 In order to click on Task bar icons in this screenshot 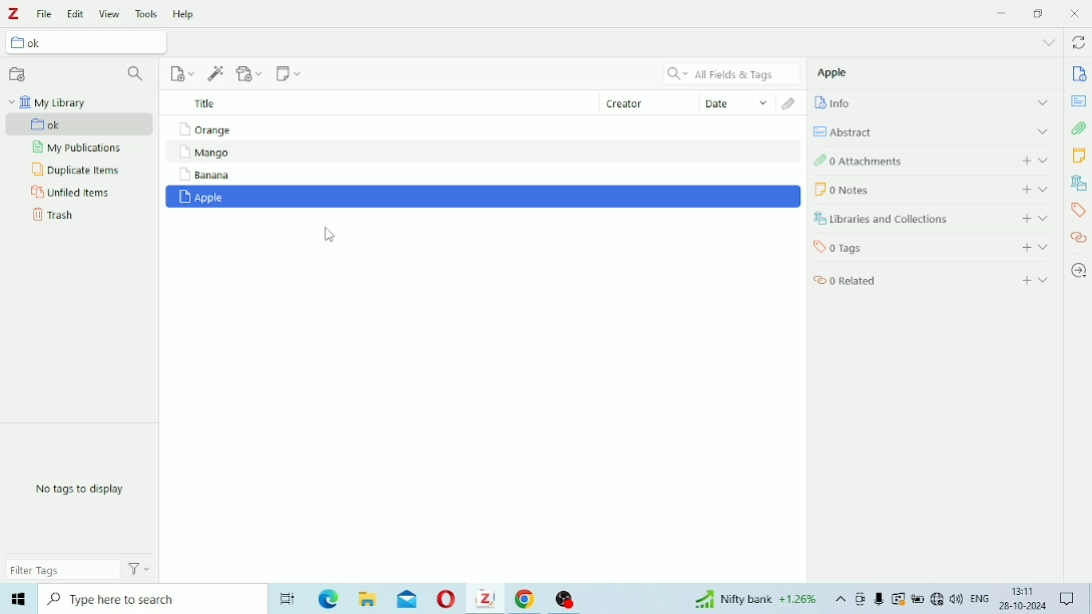, I will do `click(908, 600)`.